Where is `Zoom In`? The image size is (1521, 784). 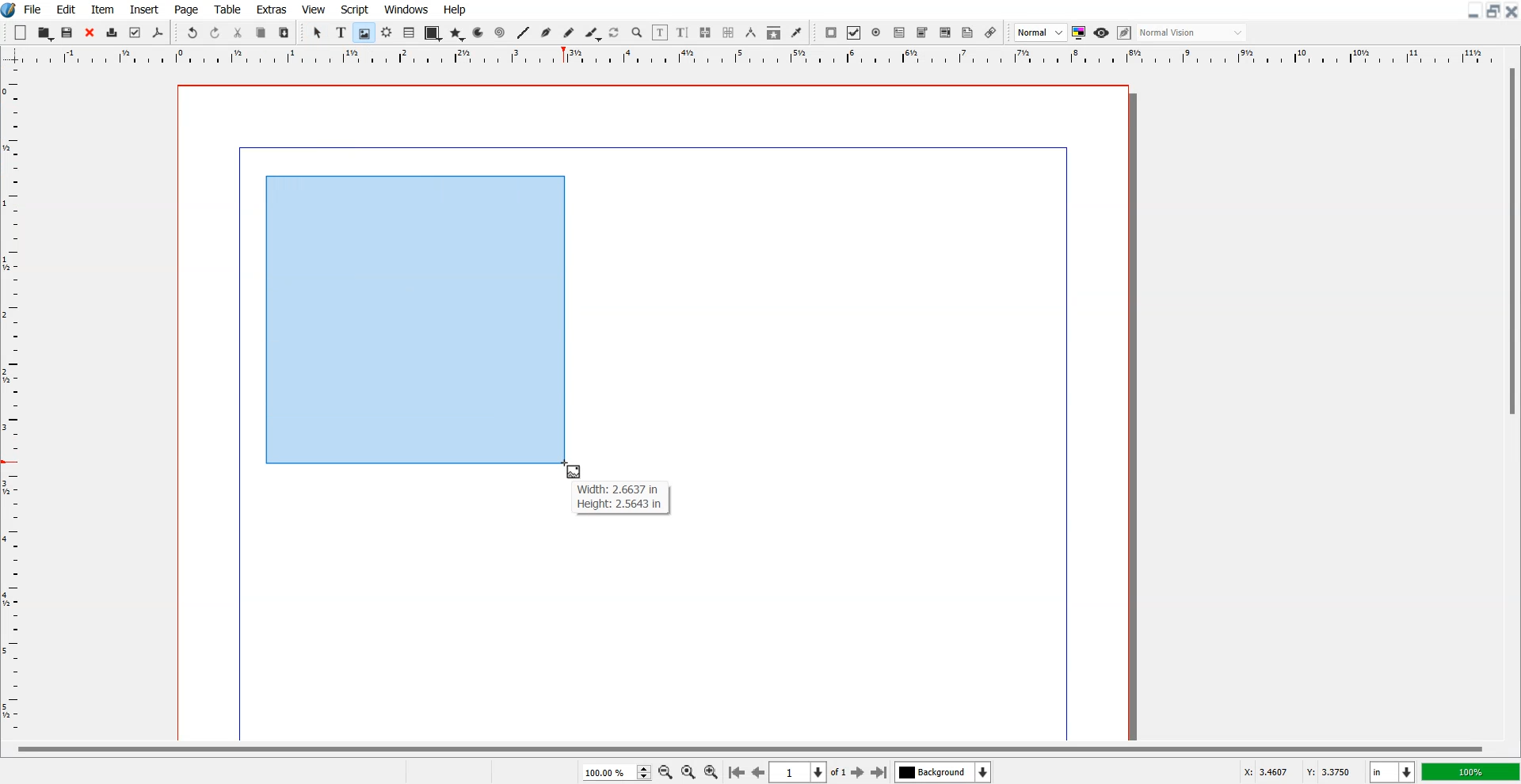
Zoom In is located at coordinates (712, 771).